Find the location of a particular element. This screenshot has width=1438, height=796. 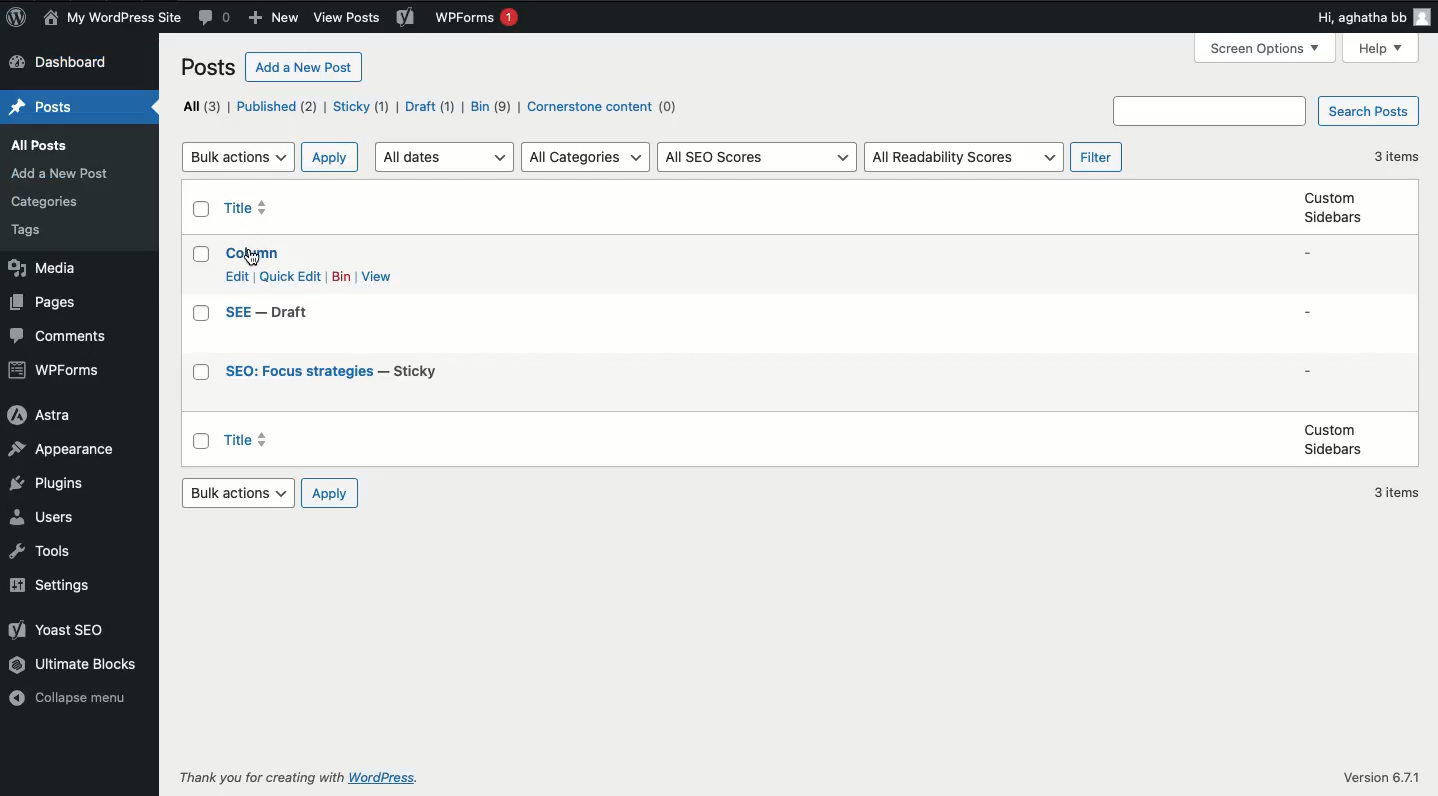

column is located at coordinates (254, 254).